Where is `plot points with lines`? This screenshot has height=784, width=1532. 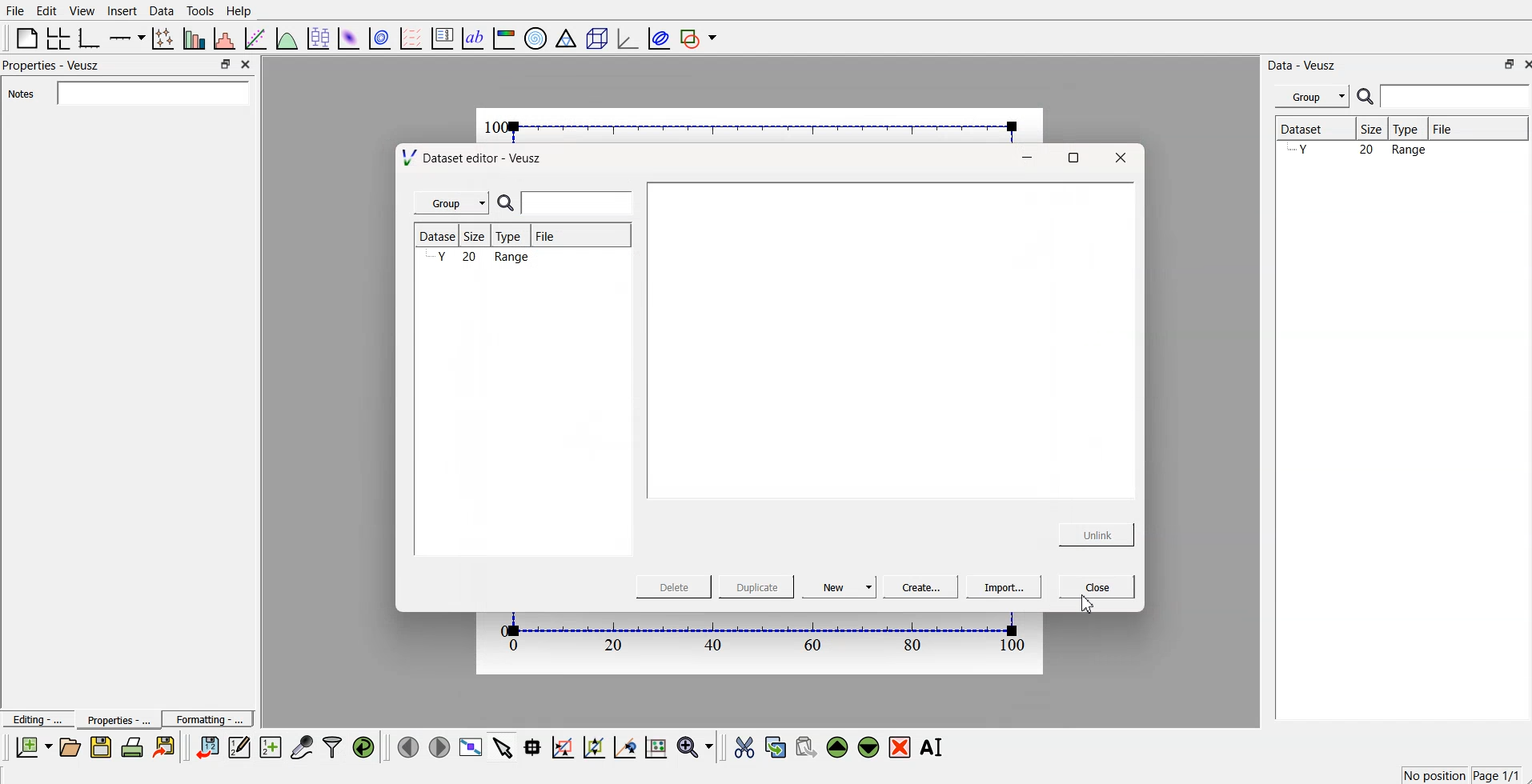 plot points with lines is located at coordinates (164, 38).